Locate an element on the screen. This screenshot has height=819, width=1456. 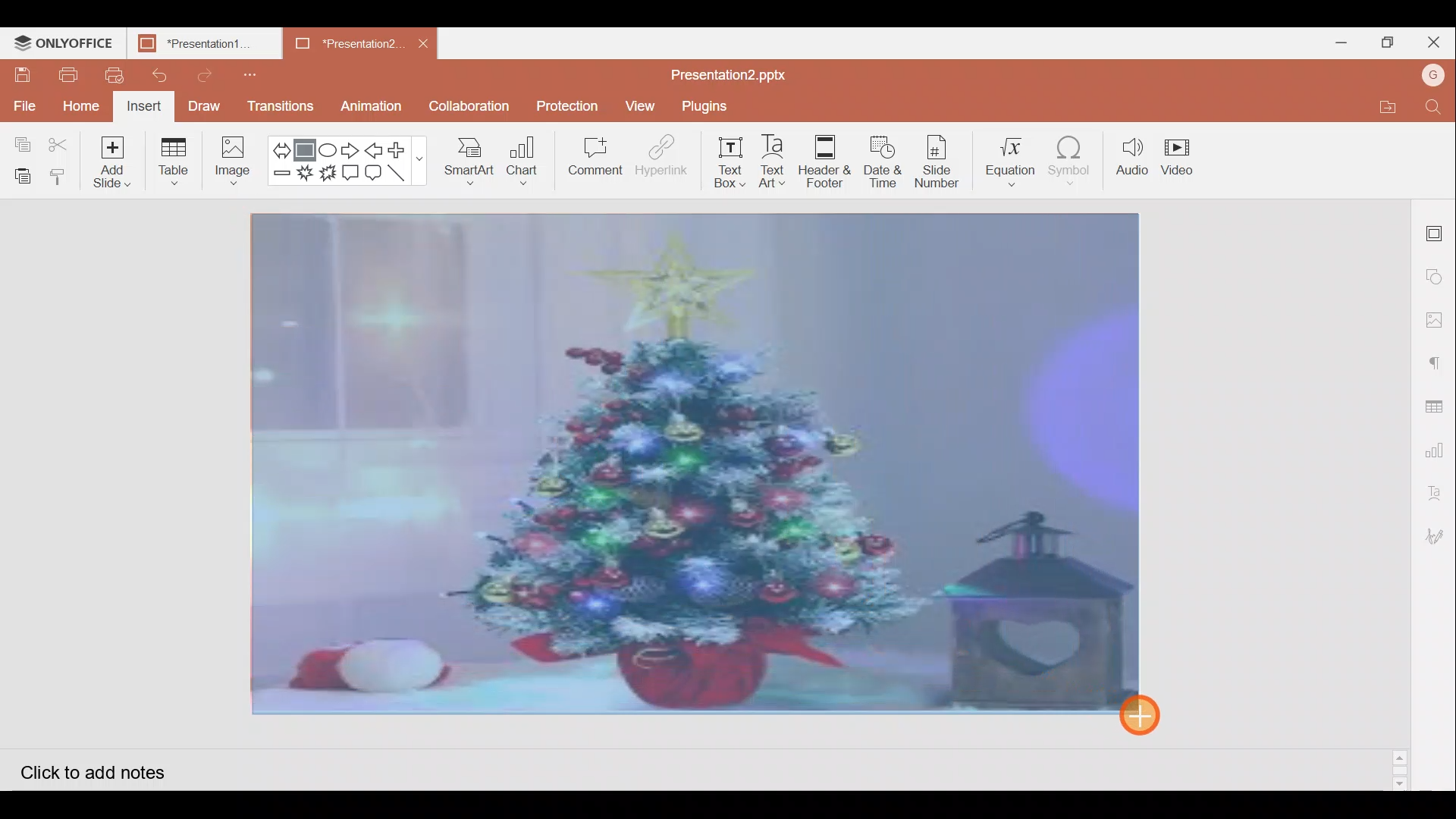
Copy style is located at coordinates (61, 176).